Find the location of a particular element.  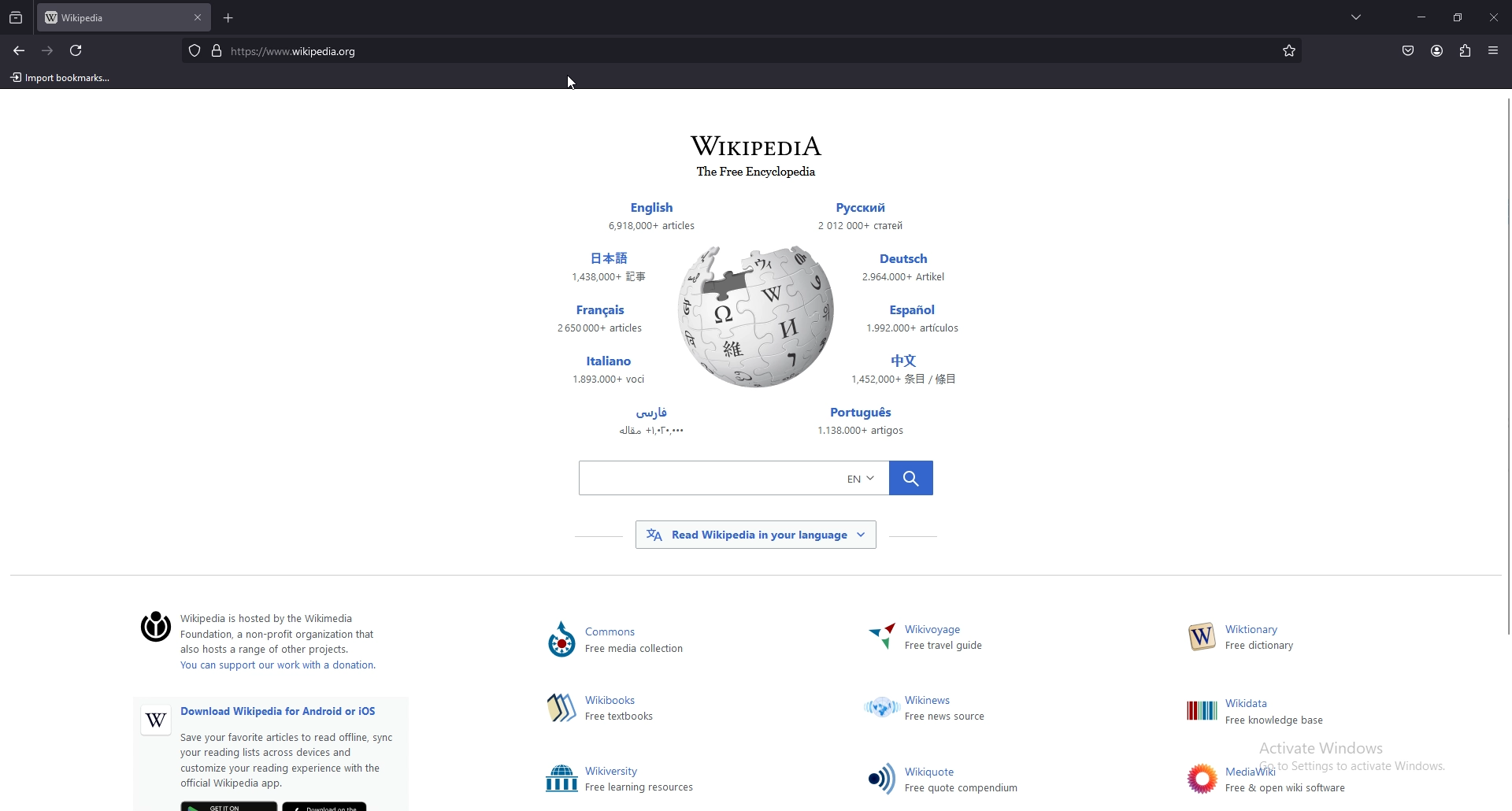

 is located at coordinates (1199, 779).